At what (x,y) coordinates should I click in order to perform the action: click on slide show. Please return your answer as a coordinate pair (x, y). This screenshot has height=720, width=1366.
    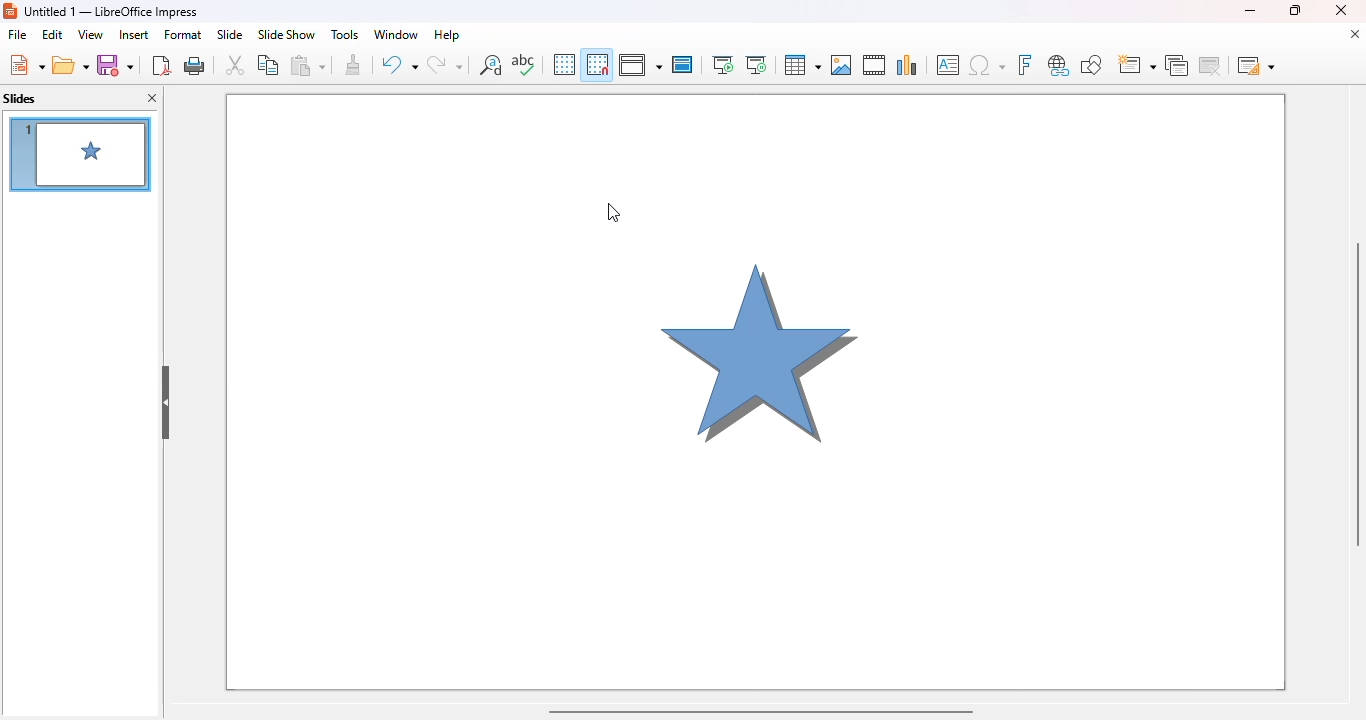
    Looking at the image, I should click on (286, 34).